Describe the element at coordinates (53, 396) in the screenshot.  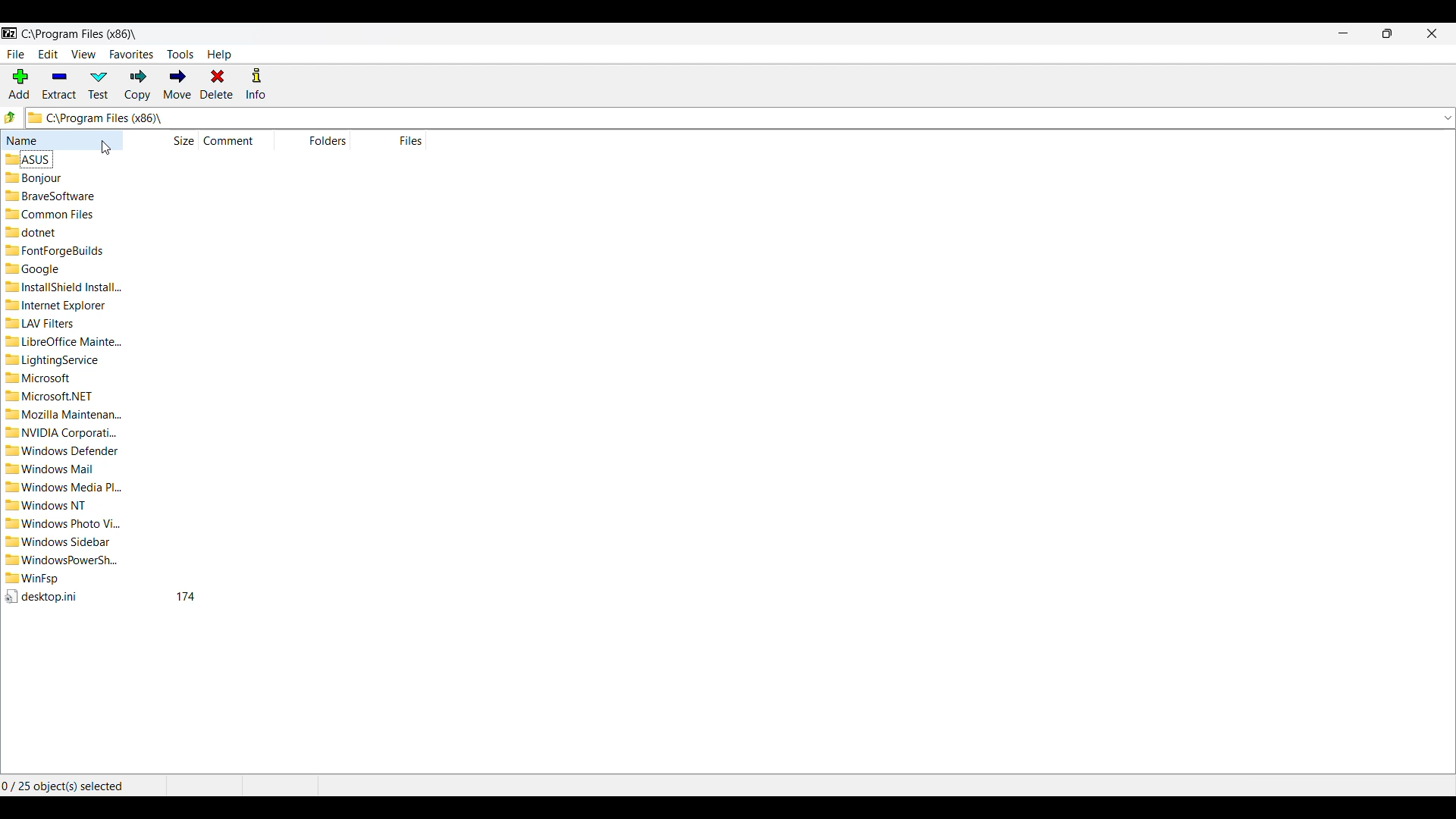
I see `Microsoft.NET` at that location.